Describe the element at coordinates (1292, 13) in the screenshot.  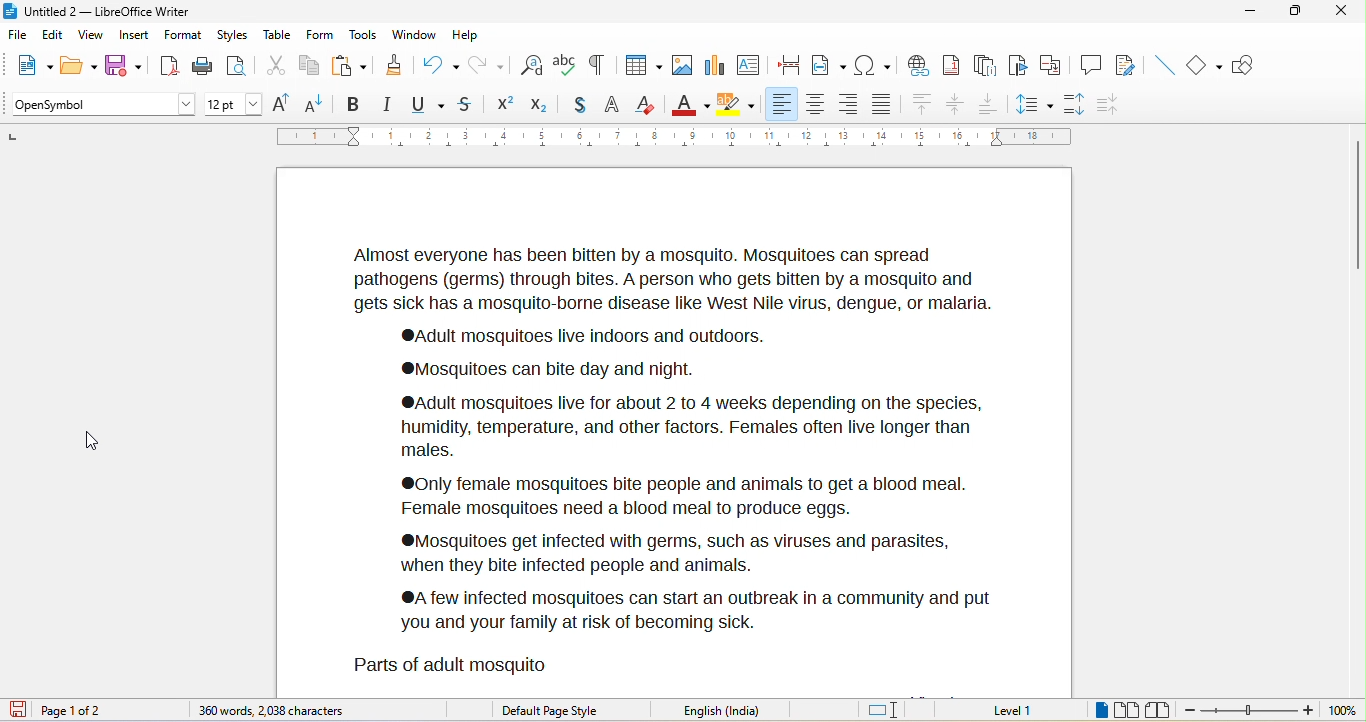
I see `maximize` at that location.